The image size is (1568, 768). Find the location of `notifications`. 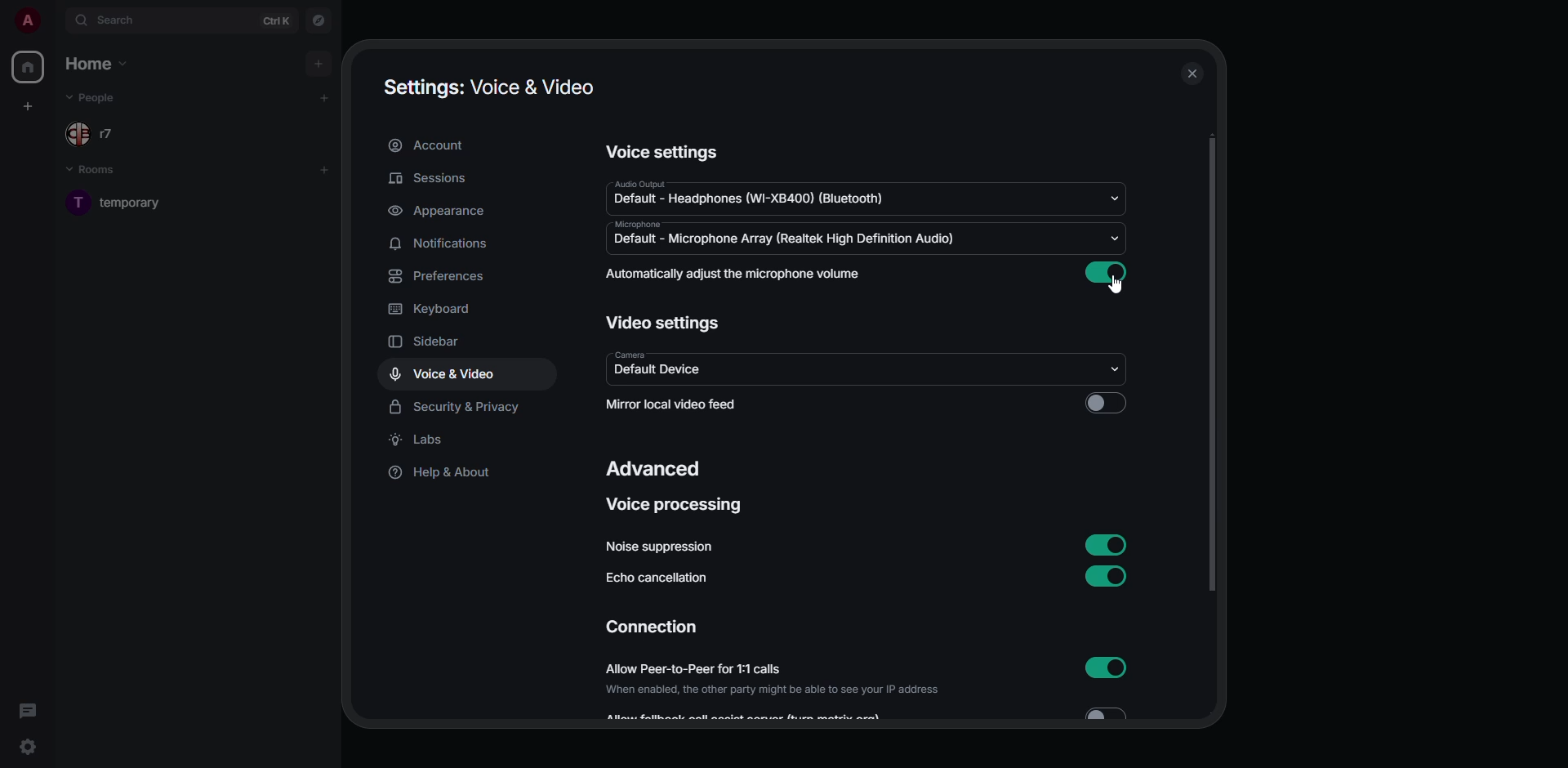

notifications is located at coordinates (448, 244).